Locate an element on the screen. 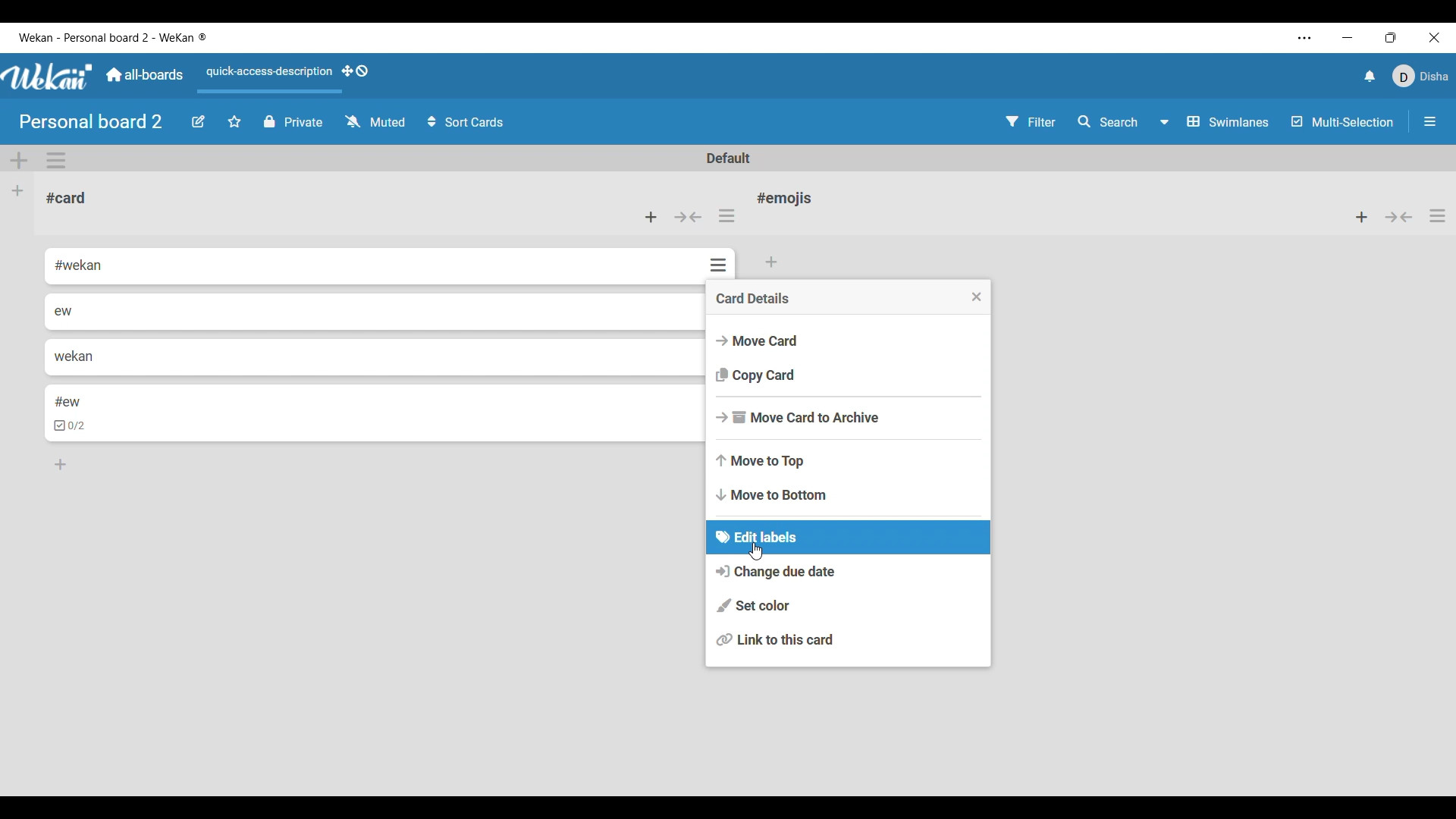 The width and height of the screenshot is (1456, 819). Set color is located at coordinates (849, 605).